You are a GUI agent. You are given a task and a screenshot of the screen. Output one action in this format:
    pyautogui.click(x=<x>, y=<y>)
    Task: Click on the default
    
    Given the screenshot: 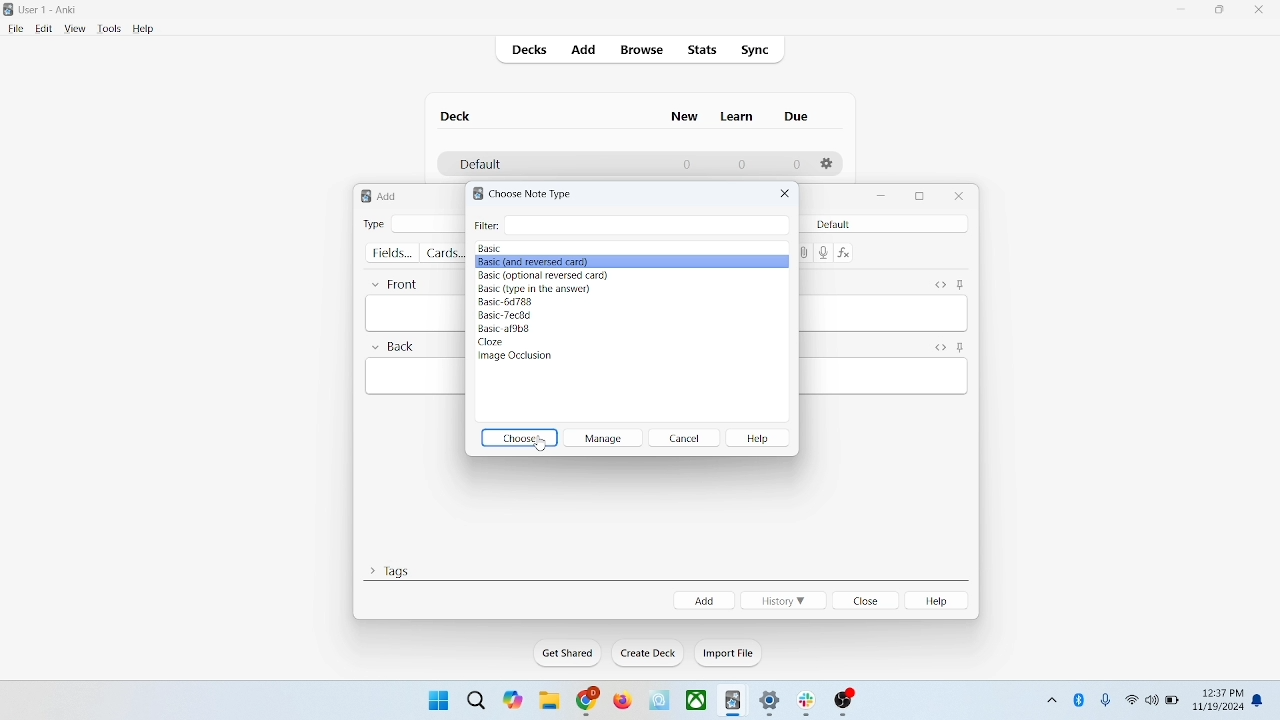 What is the action you would take?
    pyautogui.click(x=854, y=224)
    